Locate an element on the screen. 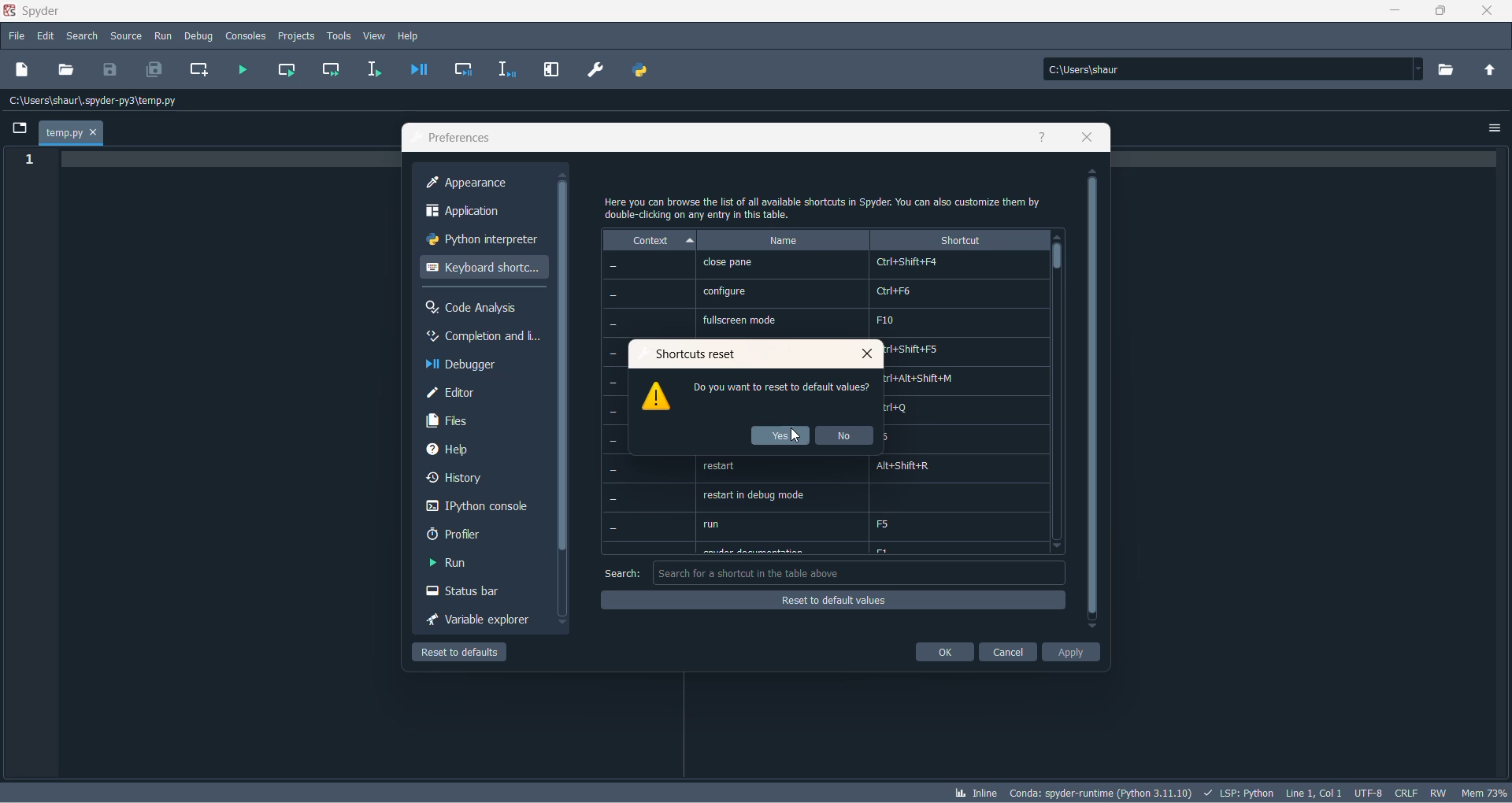 The image size is (1512, 803). temp.py is located at coordinates (70, 133).